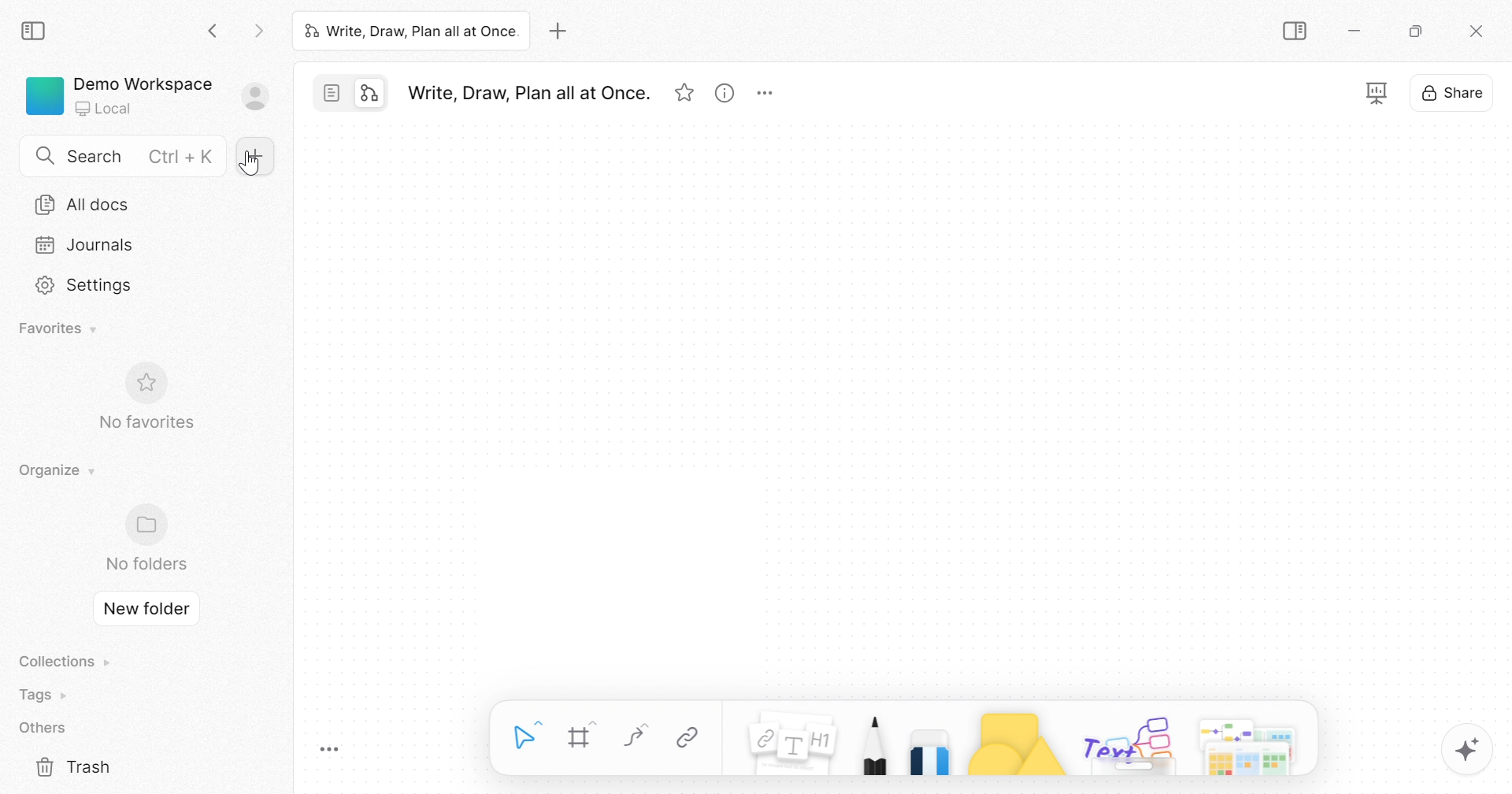  Describe the element at coordinates (259, 33) in the screenshot. I see `Forward` at that location.